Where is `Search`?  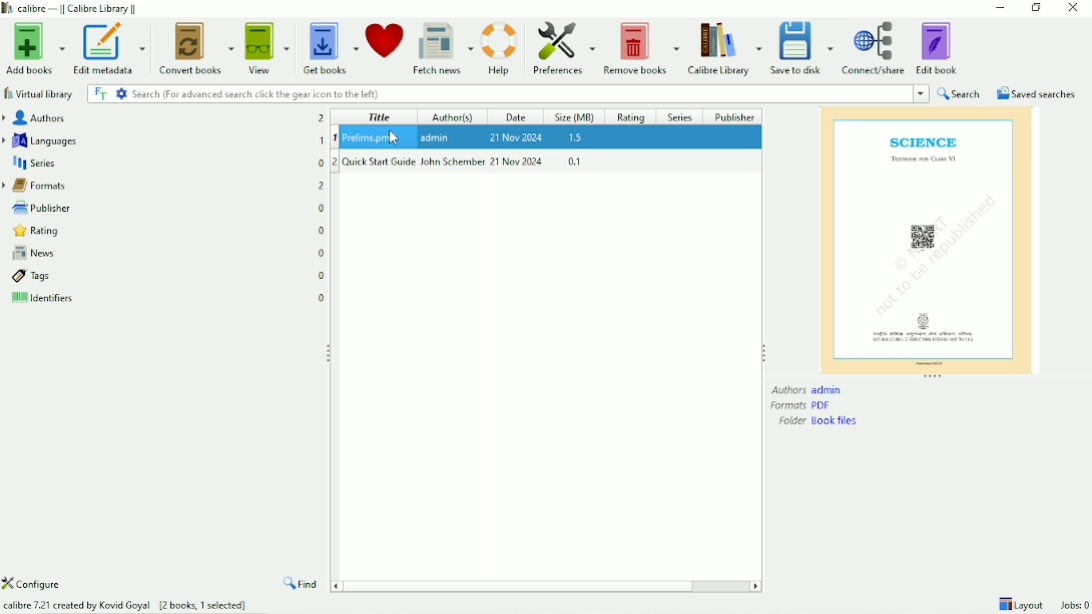 Search is located at coordinates (959, 93).